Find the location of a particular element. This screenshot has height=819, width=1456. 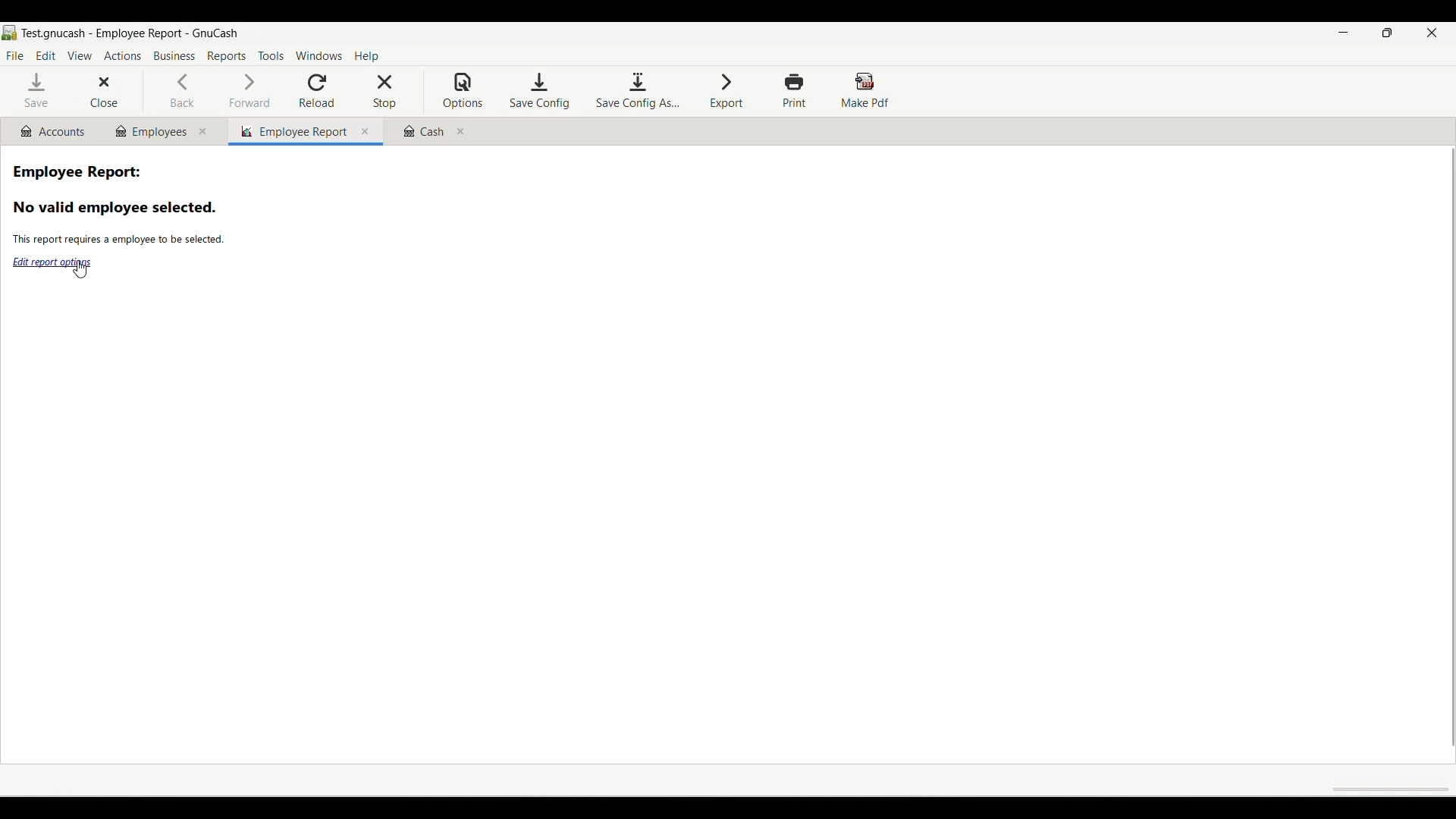

Tools is located at coordinates (271, 55).